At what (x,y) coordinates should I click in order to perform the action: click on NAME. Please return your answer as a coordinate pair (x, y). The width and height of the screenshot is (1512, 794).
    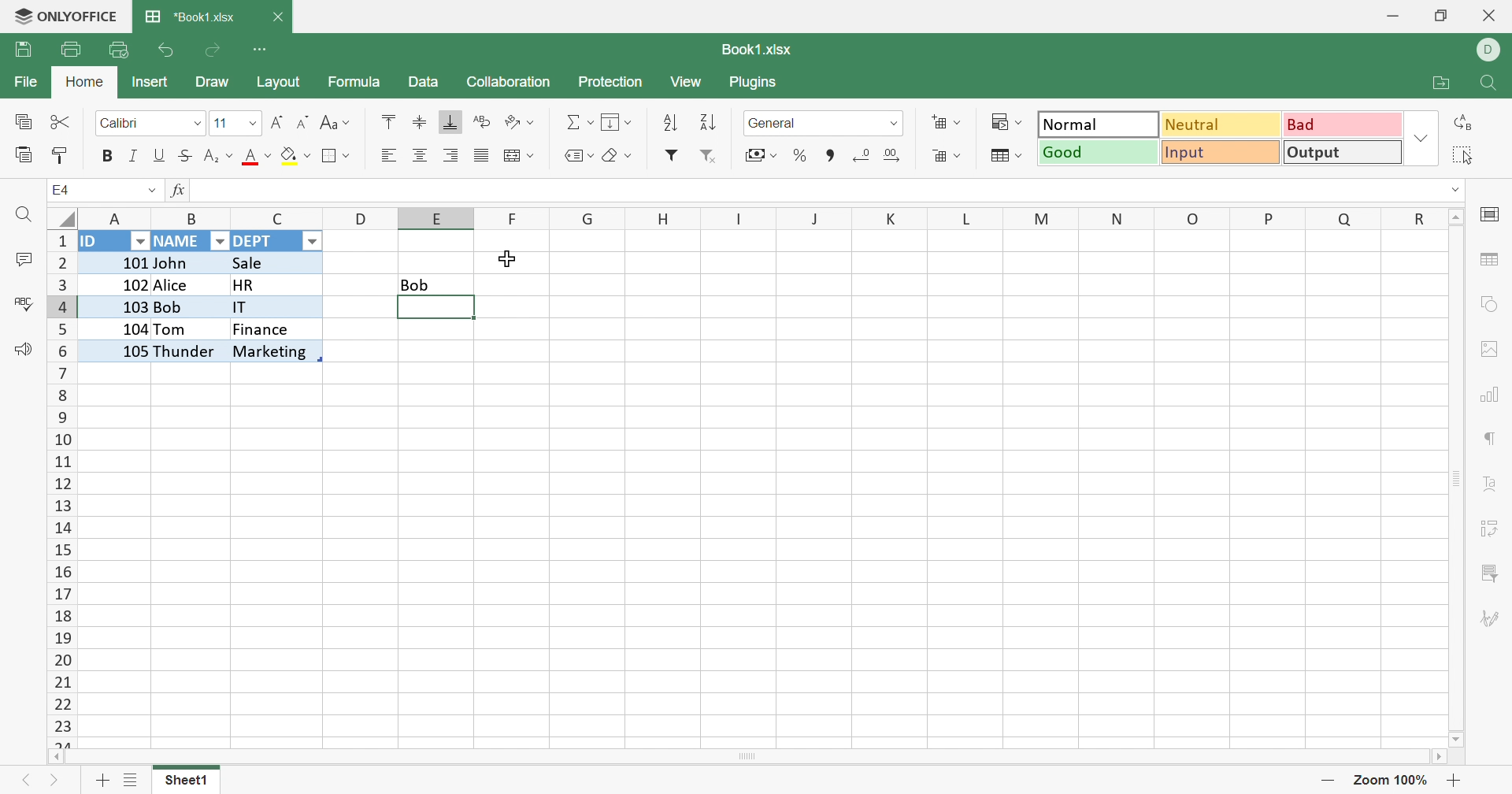
    Looking at the image, I should click on (179, 243).